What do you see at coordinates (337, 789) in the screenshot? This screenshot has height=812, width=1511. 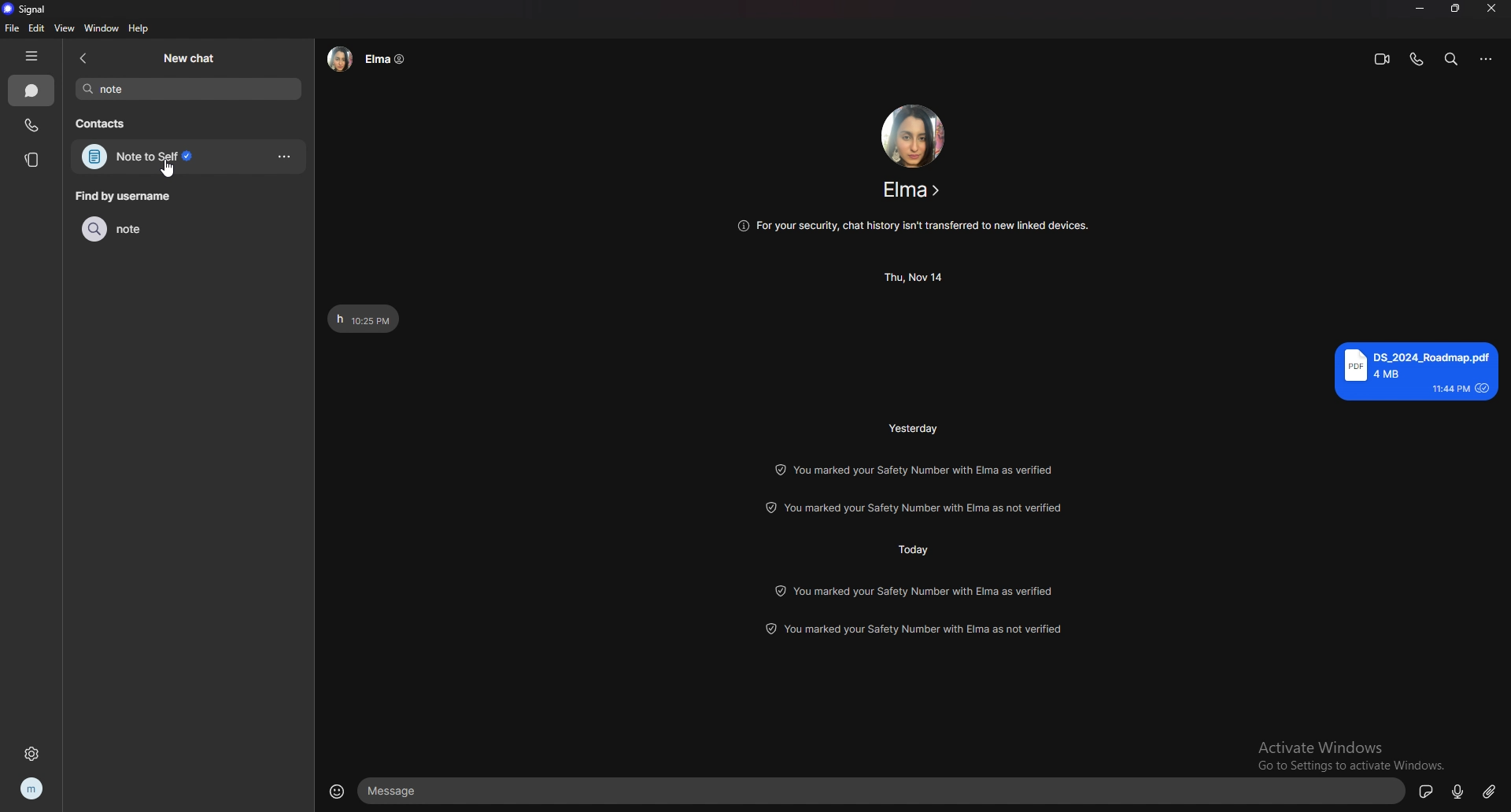 I see `emojis` at bounding box center [337, 789].